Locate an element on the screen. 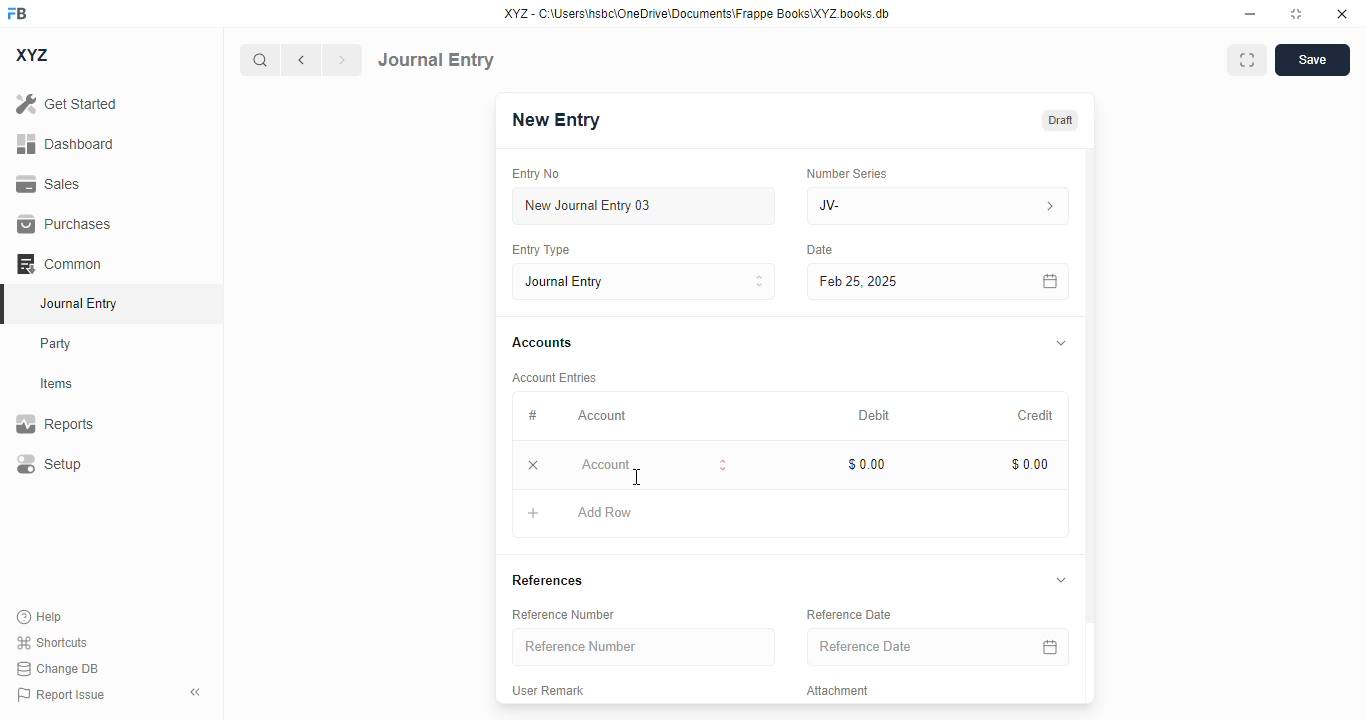 The image size is (1366, 720). new journal entry 03 is located at coordinates (642, 206).